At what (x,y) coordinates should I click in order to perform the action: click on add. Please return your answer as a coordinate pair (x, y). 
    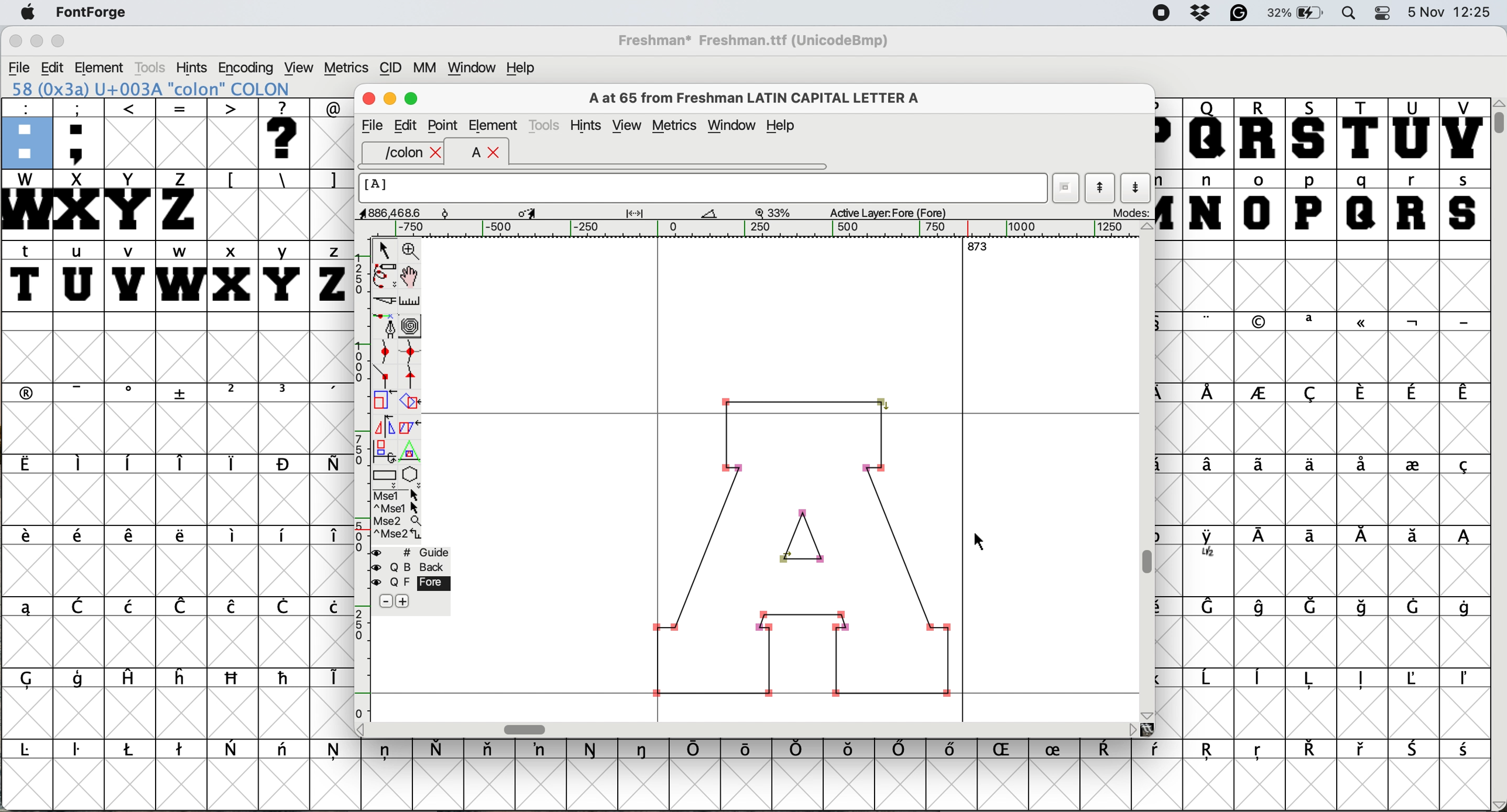
    Looking at the image, I should click on (410, 602).